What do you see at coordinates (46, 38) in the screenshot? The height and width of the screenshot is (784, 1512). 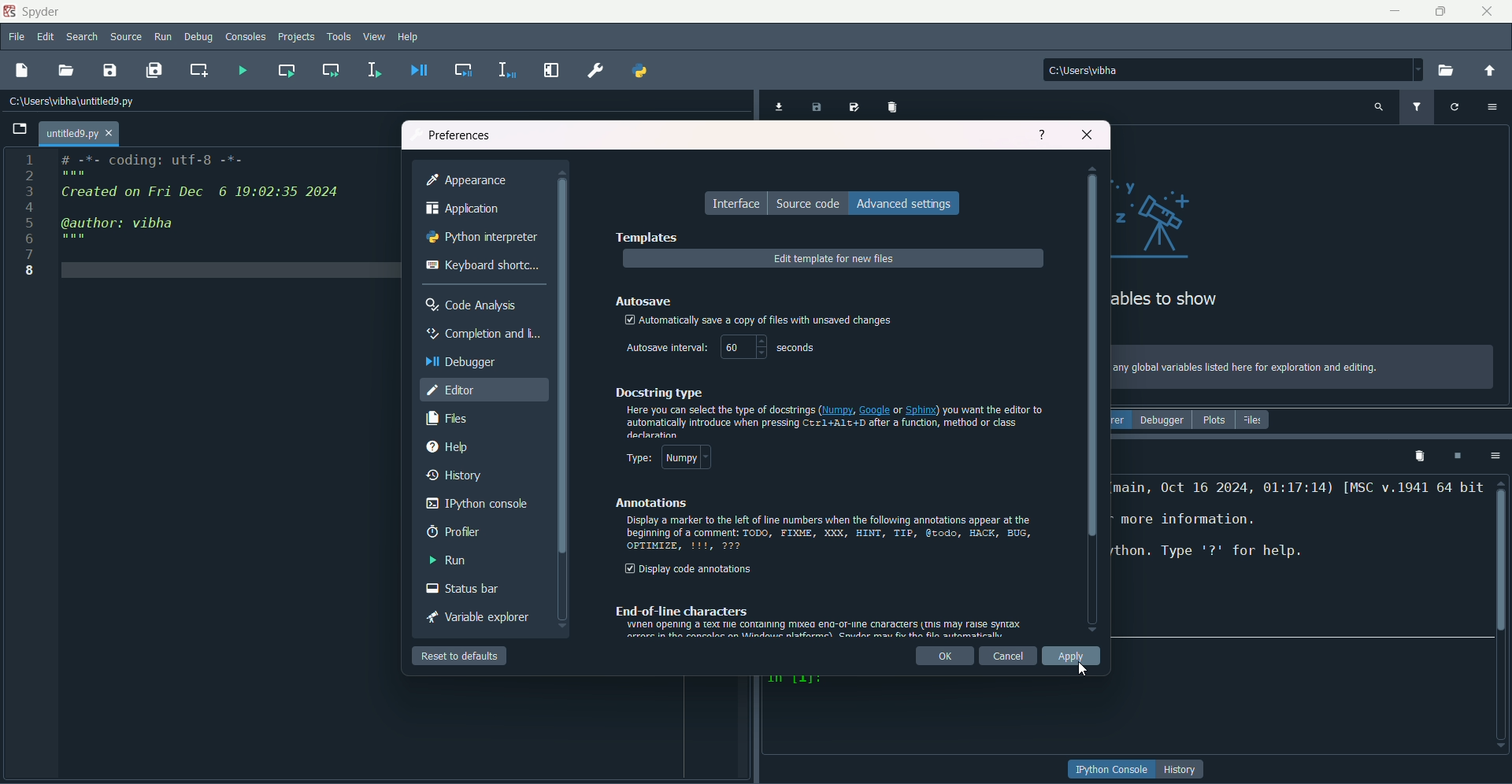 I see `edit` at bounding box center [46, 38].